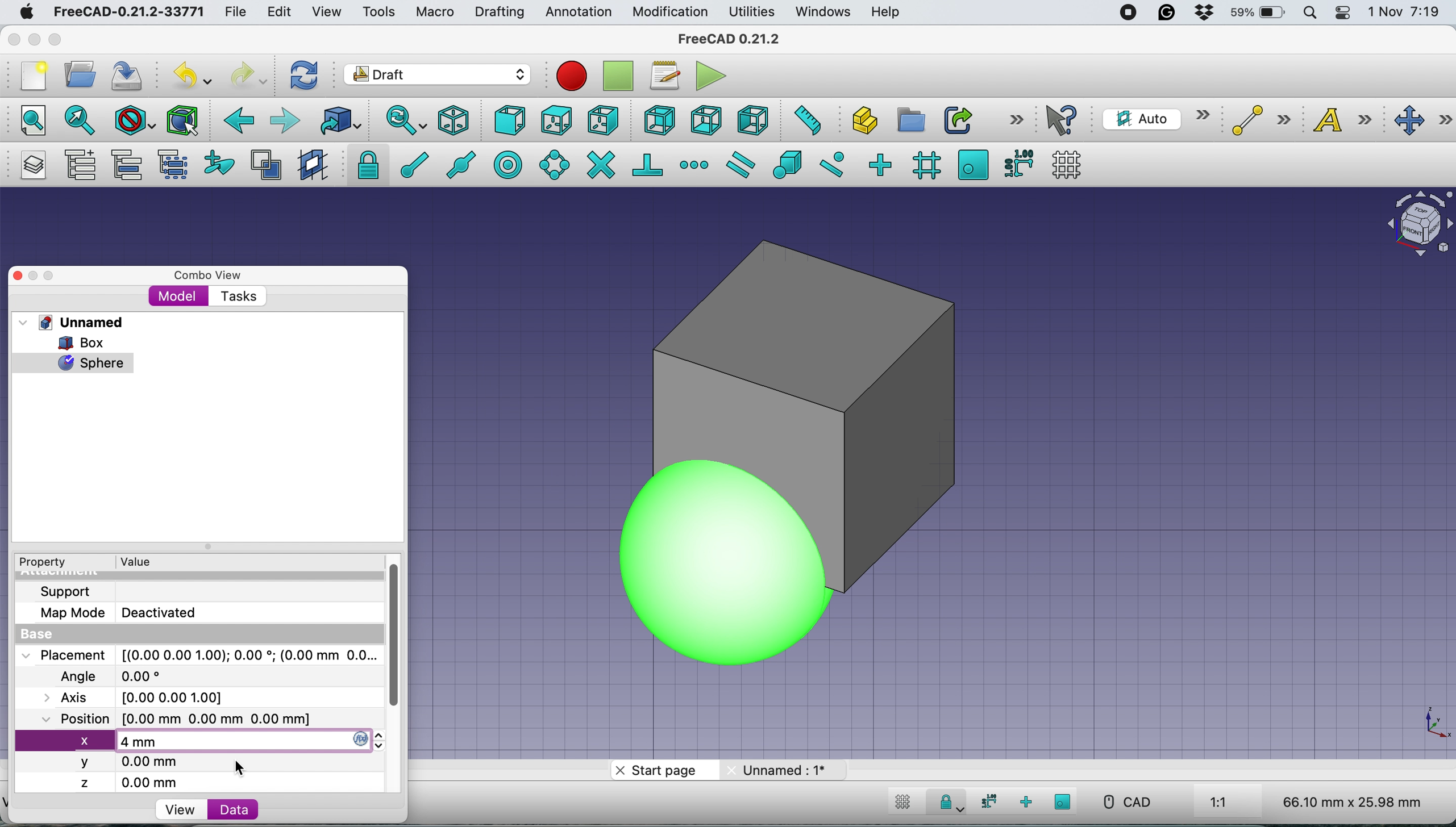 The width and height of the screenshot is (1456, 827). I want to click on create group, so click(909, 120).